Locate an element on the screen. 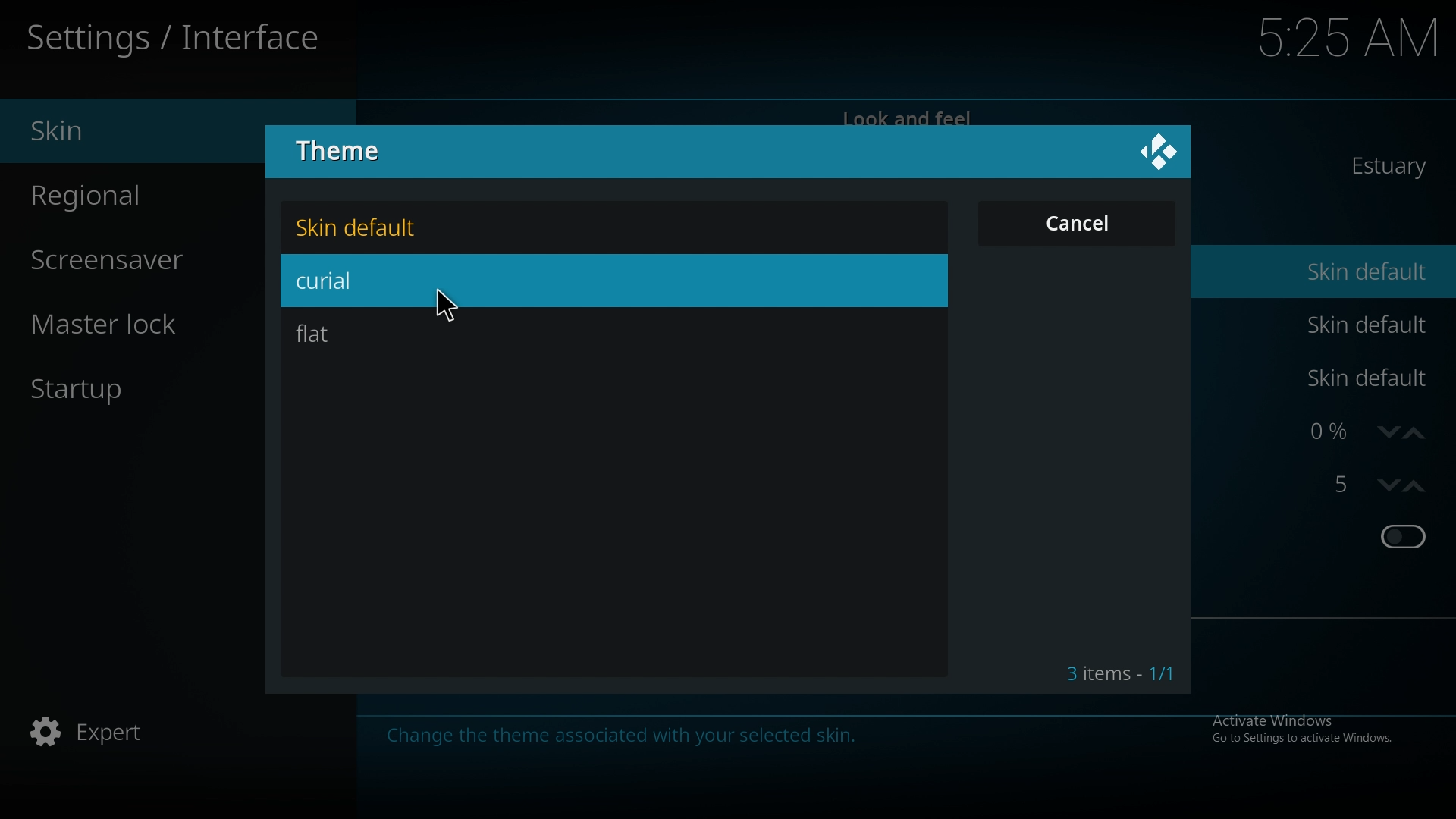  toggle on/off is located at coordinates (1403, 539).